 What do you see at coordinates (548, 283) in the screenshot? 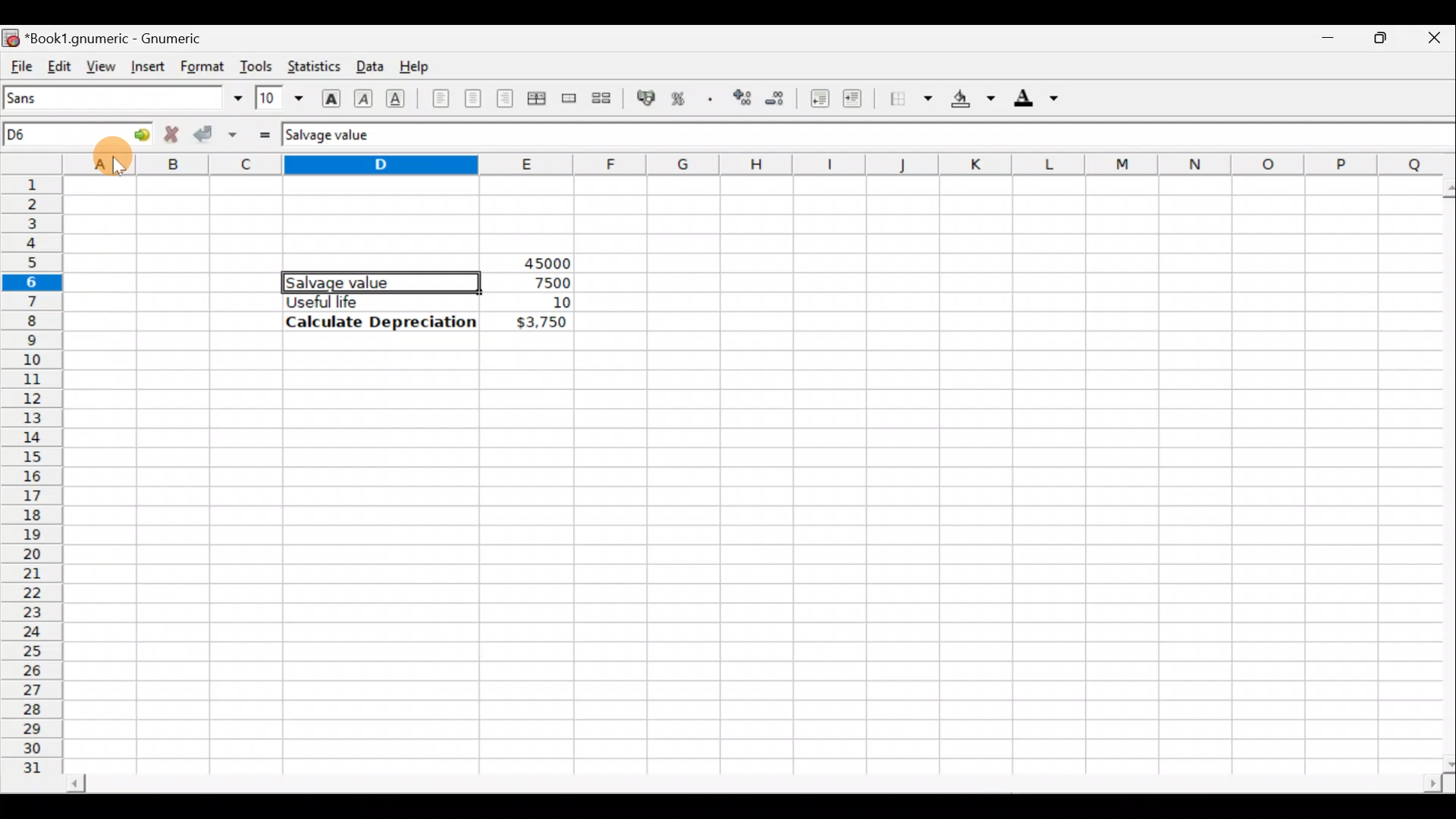
I see `7500` at bounding box center [548, 283].